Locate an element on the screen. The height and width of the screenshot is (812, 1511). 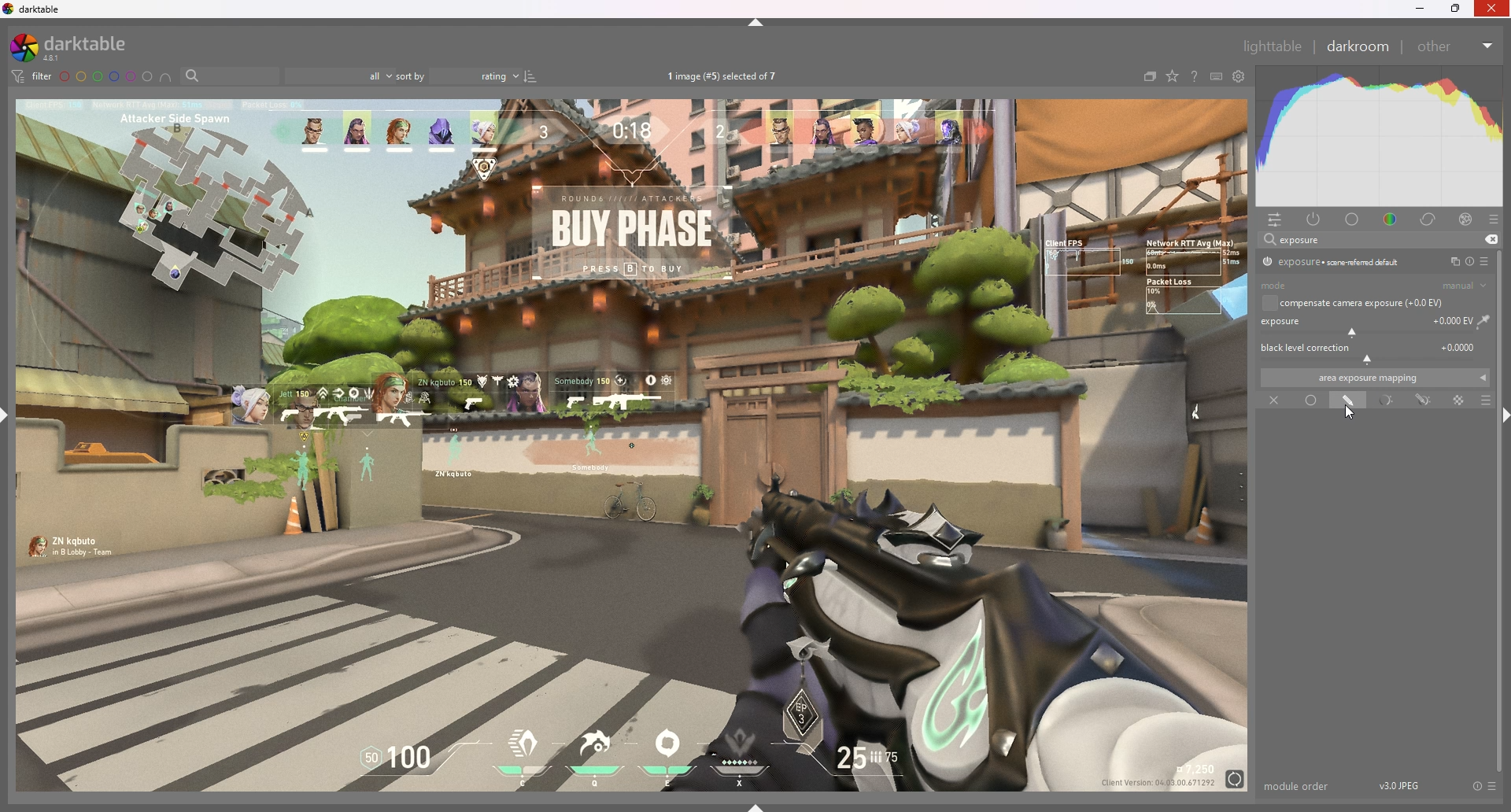
darktable is located at coordinates (35, 9).